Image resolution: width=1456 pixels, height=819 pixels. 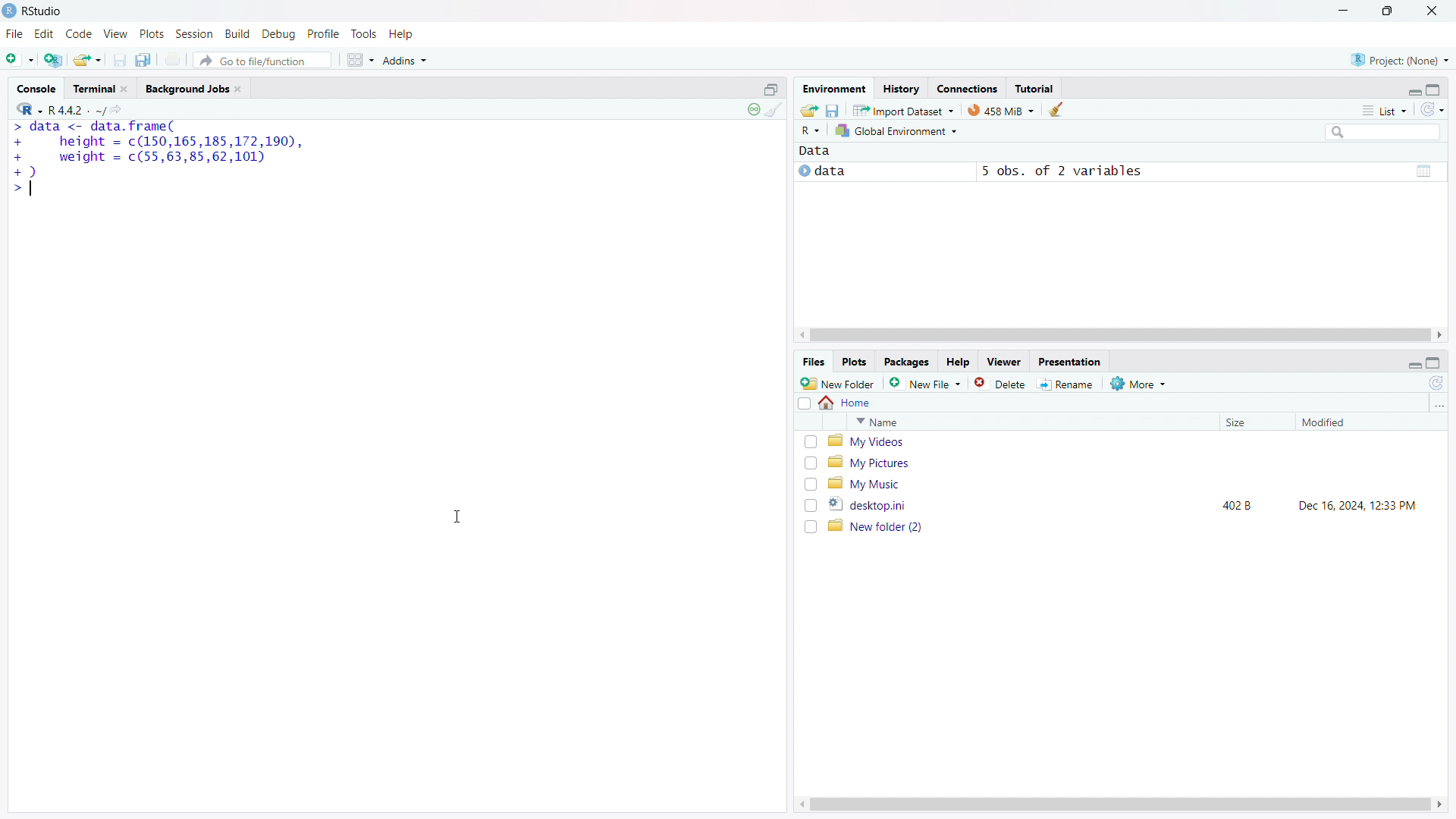 I want to click on name, so click(x=1030, y=422).